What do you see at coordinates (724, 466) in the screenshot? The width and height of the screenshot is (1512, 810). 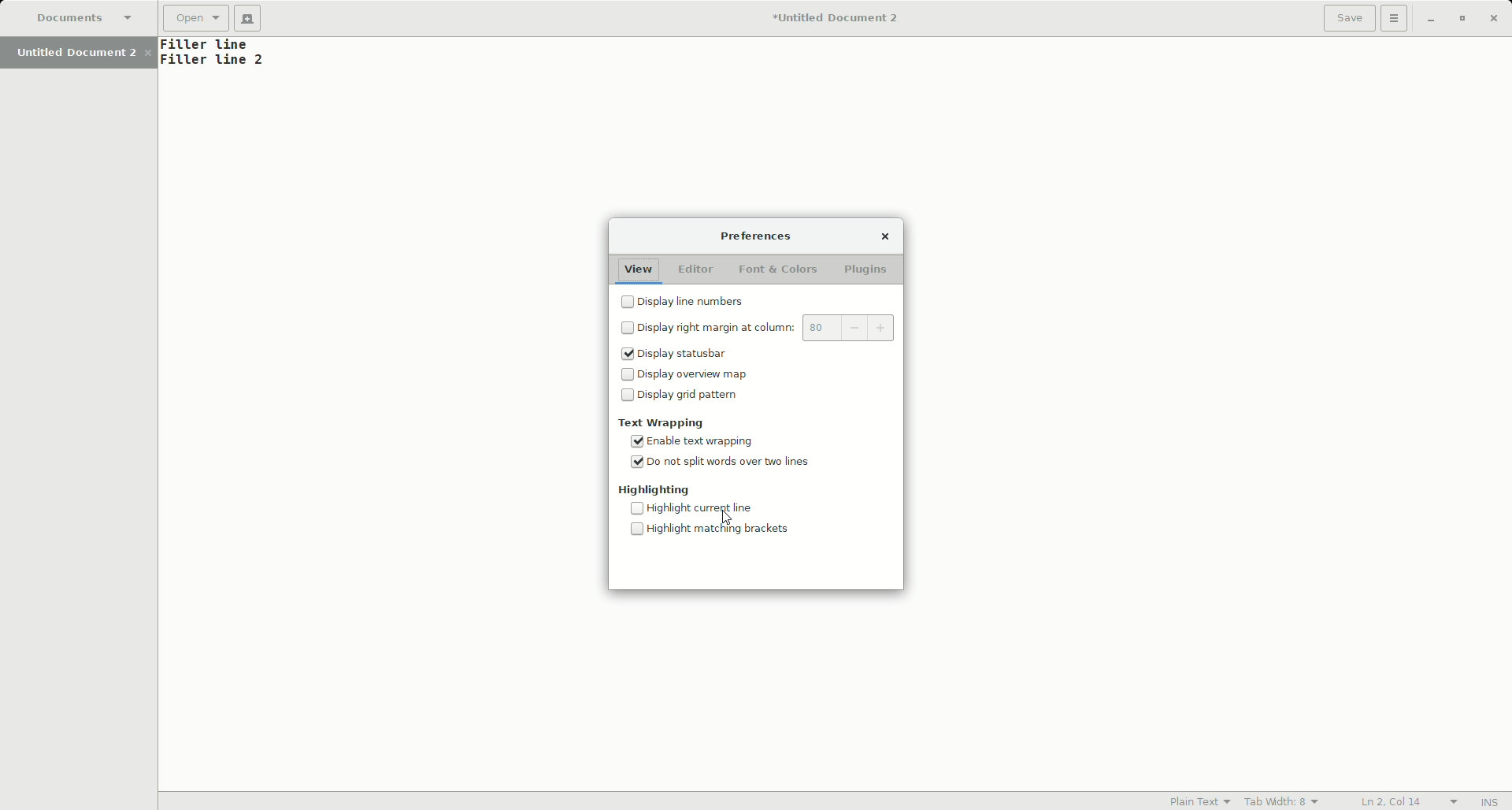 I see `Do not split words` at bounding box center [724, 466].